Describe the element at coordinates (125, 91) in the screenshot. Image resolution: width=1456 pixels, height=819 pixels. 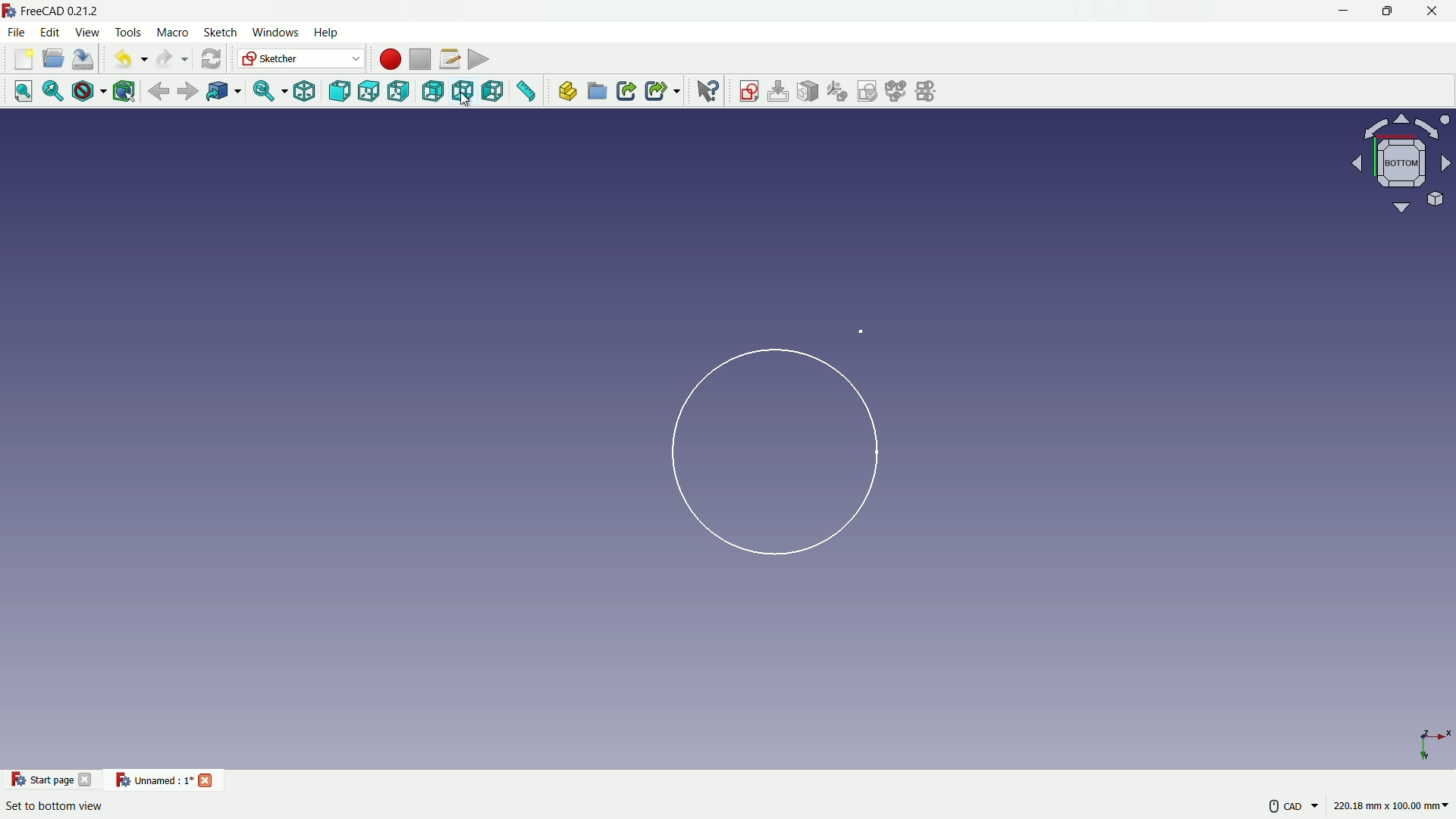
I see `bounding box` at that location.